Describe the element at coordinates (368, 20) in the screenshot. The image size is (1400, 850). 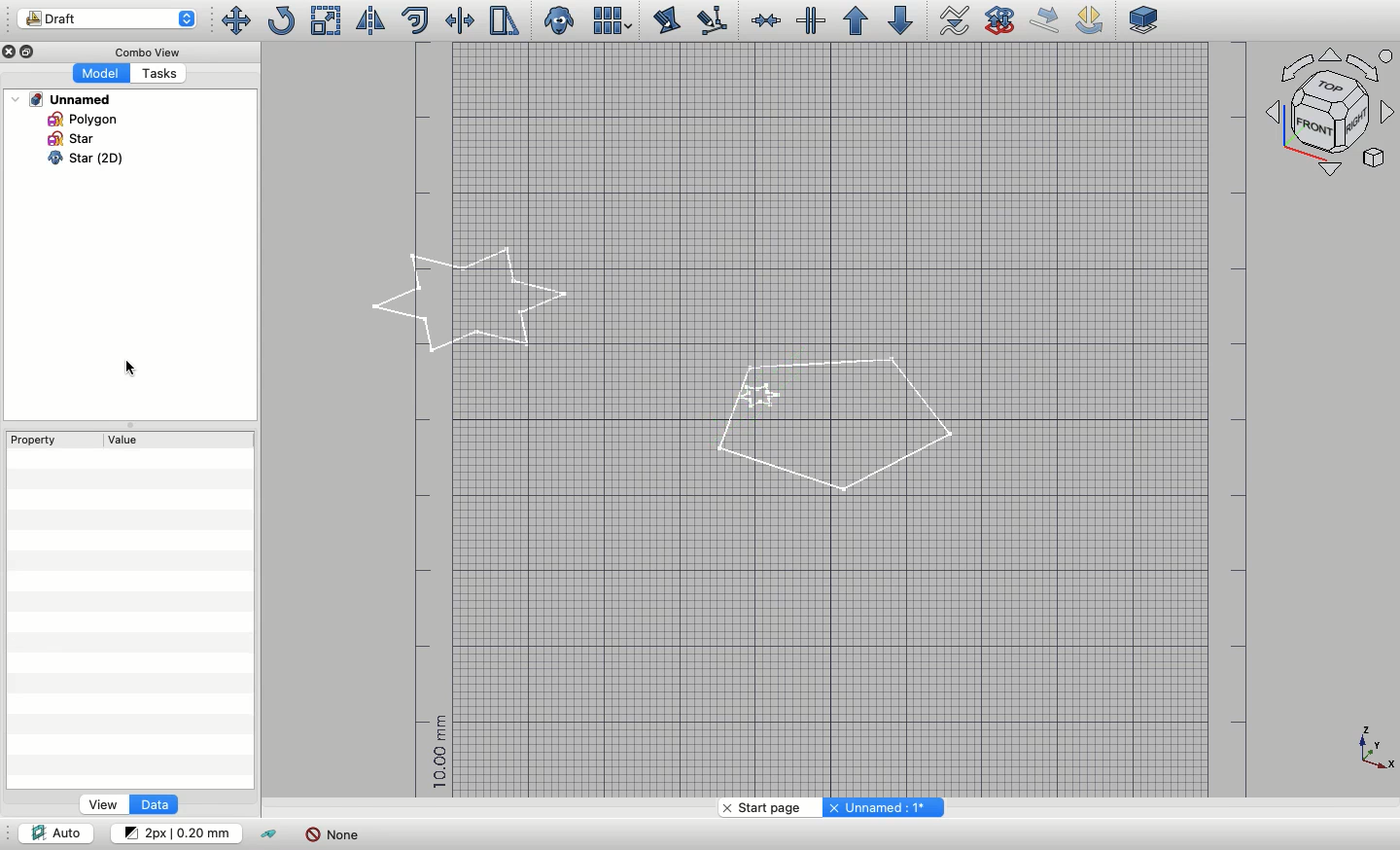
I see `Mirror` at that location.